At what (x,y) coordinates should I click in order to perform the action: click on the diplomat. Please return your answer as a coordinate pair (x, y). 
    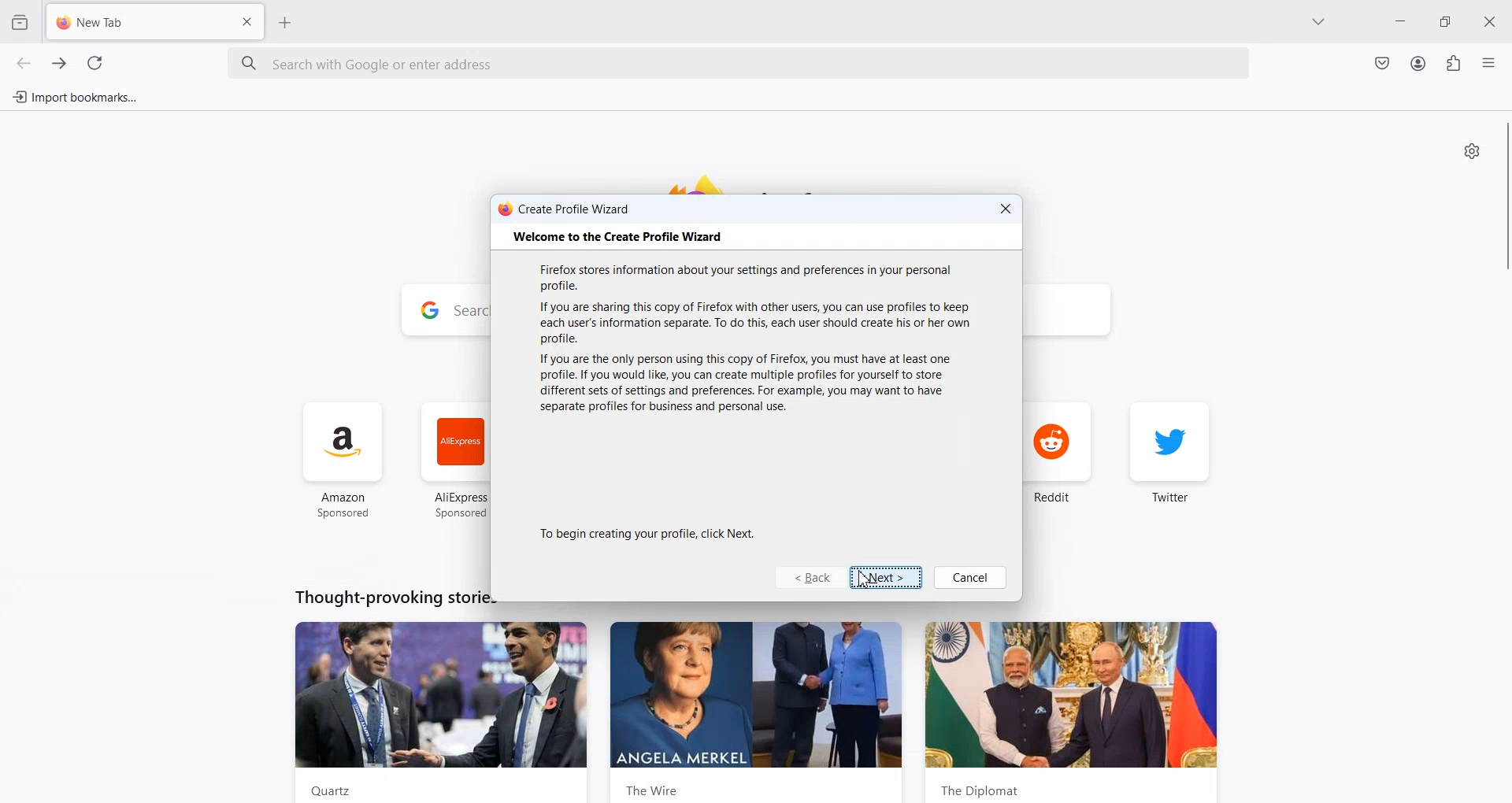
    Looking at the image, I should click on (1071, 712).